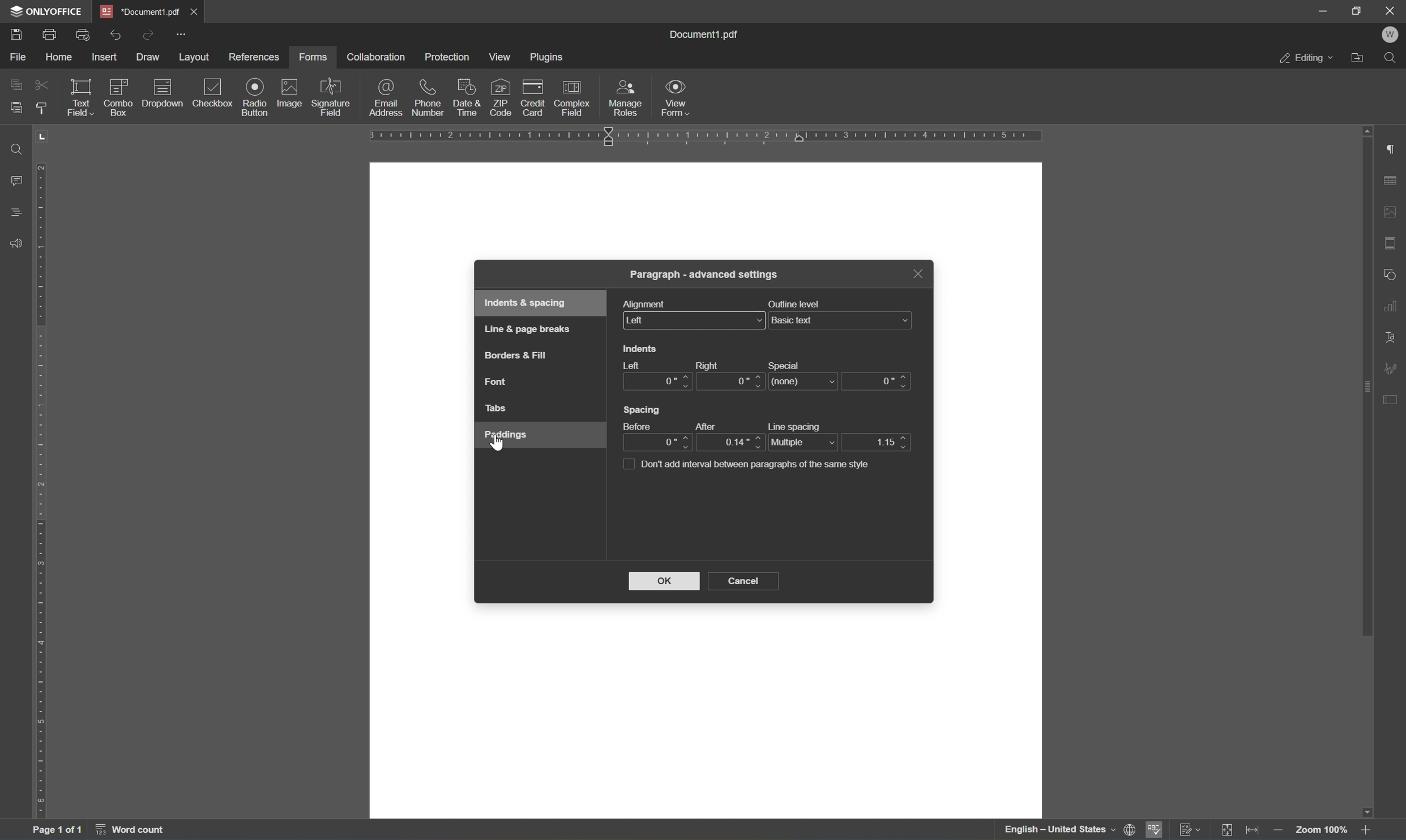  I want to click on customize quick access toolbar, so click(183, 33).